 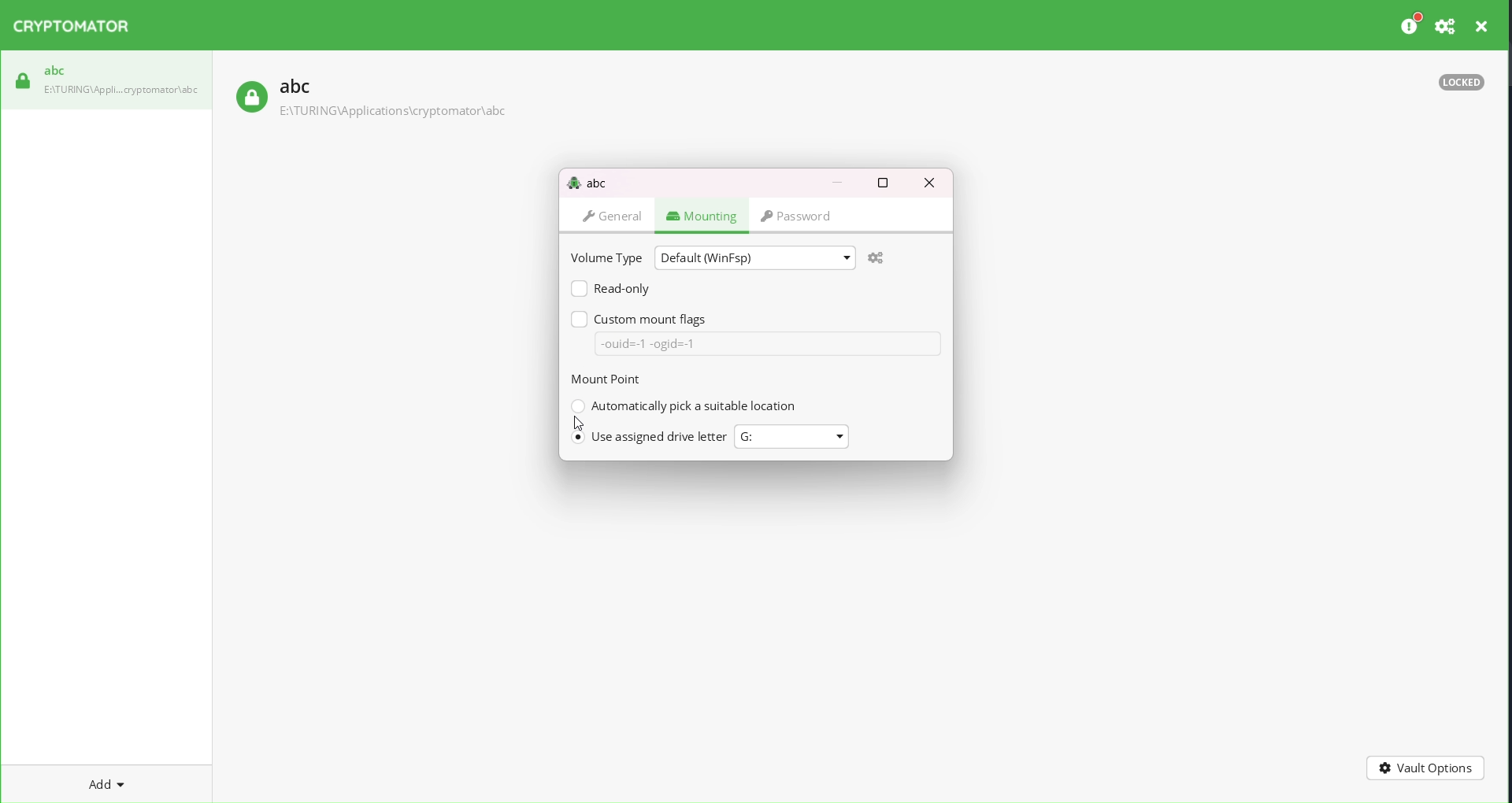 I want to click on setting, so click(x=1443, y=26).